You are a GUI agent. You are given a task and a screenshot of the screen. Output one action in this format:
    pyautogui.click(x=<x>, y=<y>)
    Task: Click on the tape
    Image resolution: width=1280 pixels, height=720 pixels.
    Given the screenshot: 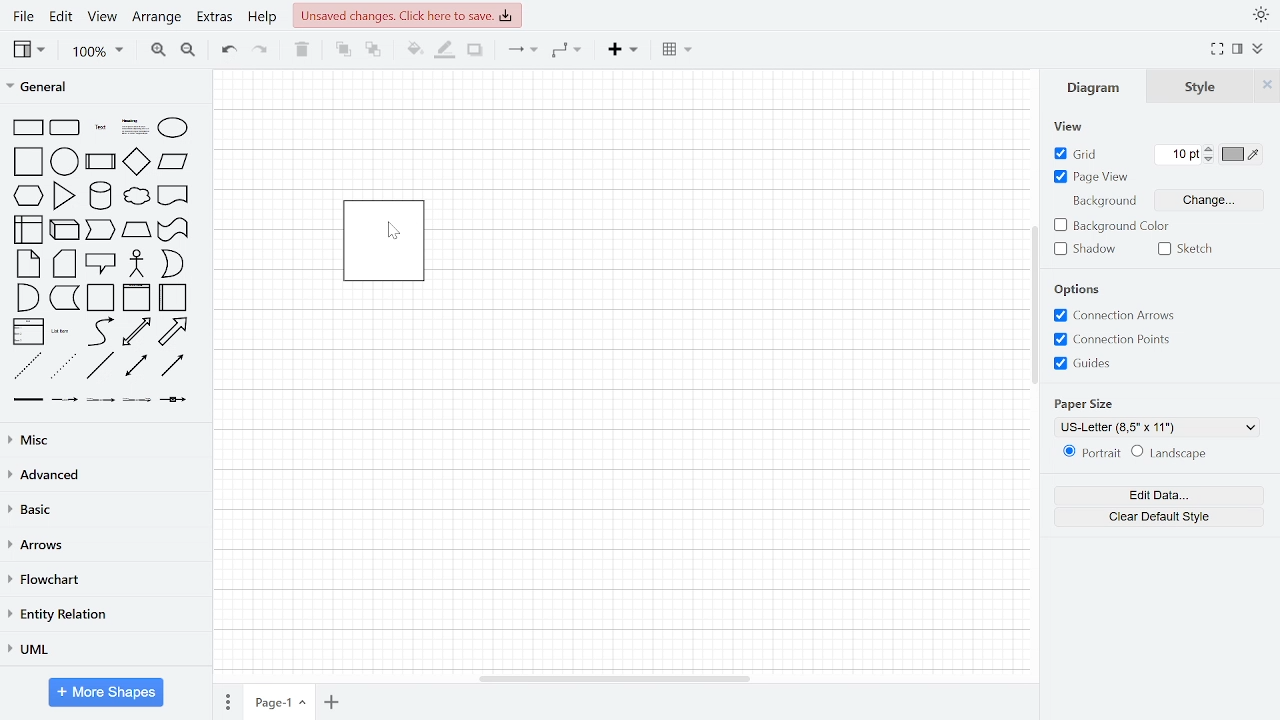 What is the action you would take?
    pyautogui.click(x=174, y=229)
    